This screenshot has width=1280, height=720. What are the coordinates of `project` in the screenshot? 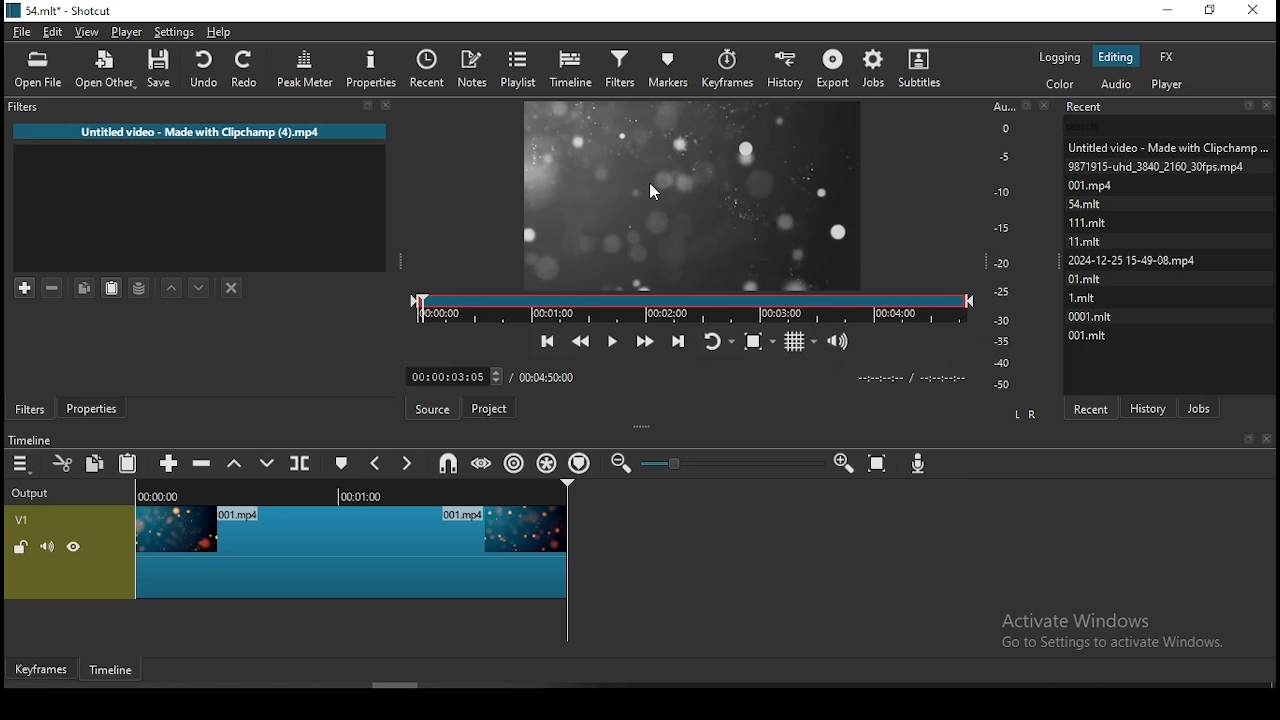 It's located at (491, 407).